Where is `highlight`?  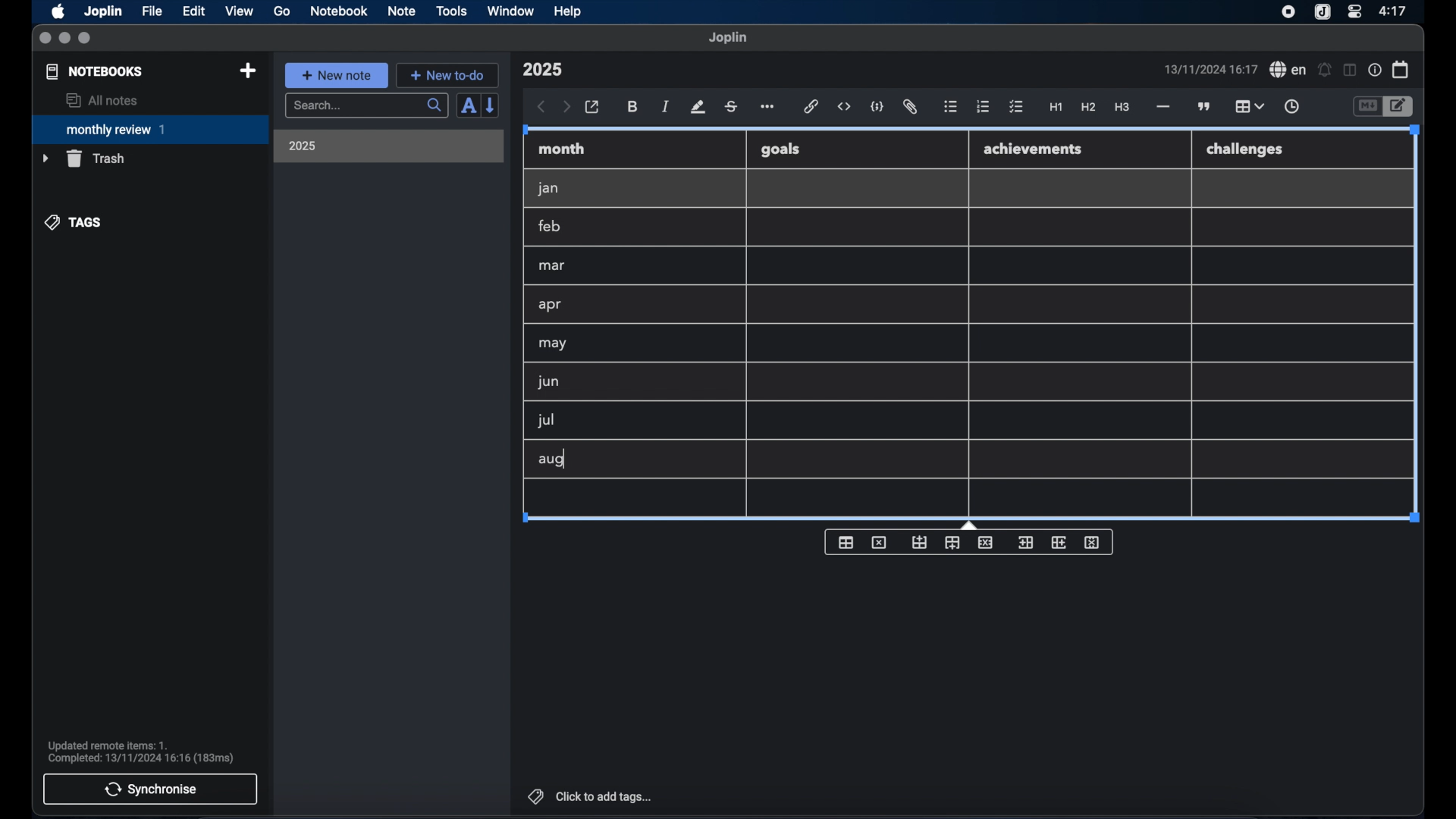
highlight is located at coordinates (698, 107).